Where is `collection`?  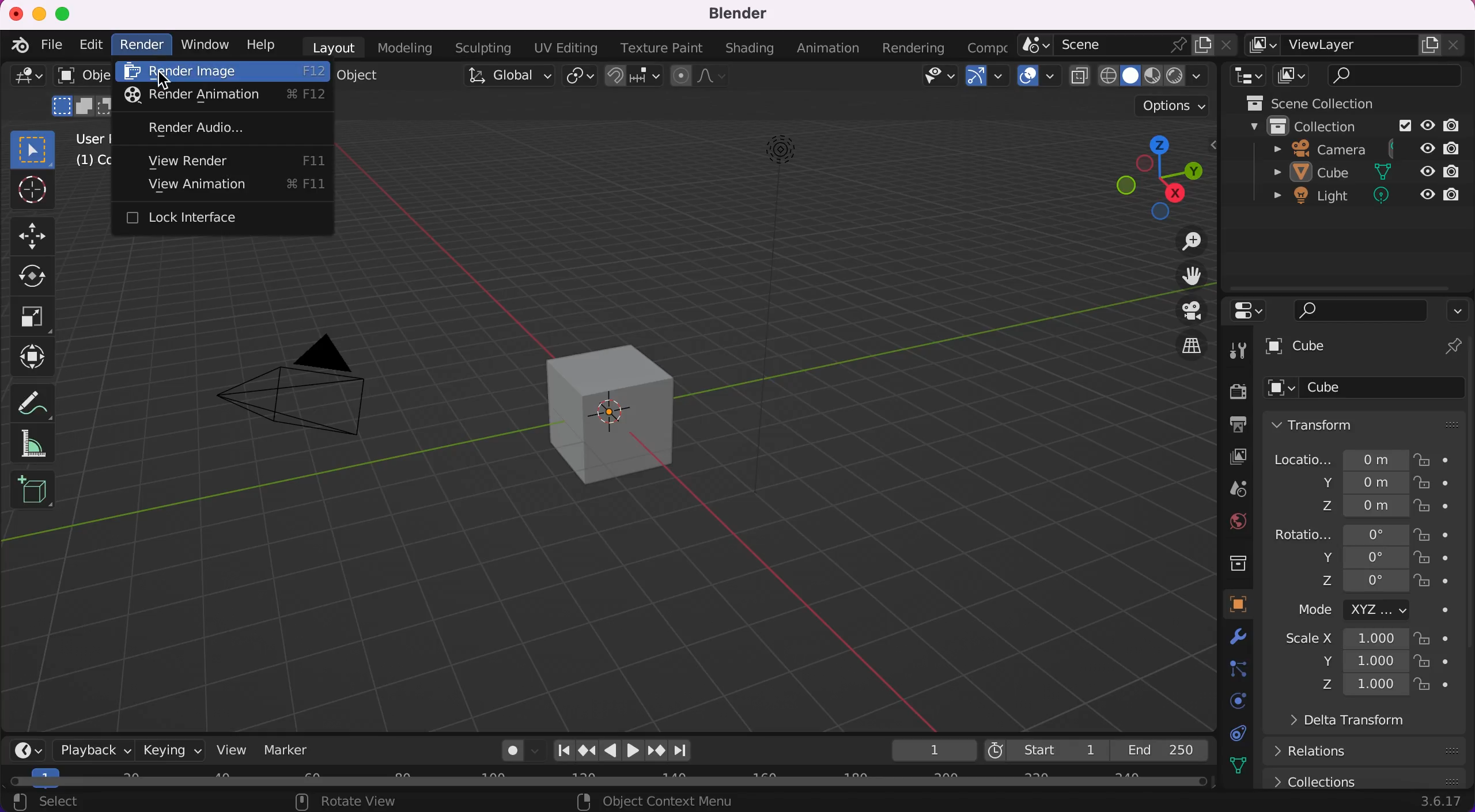
collection is located at coordinates (1308, 128).